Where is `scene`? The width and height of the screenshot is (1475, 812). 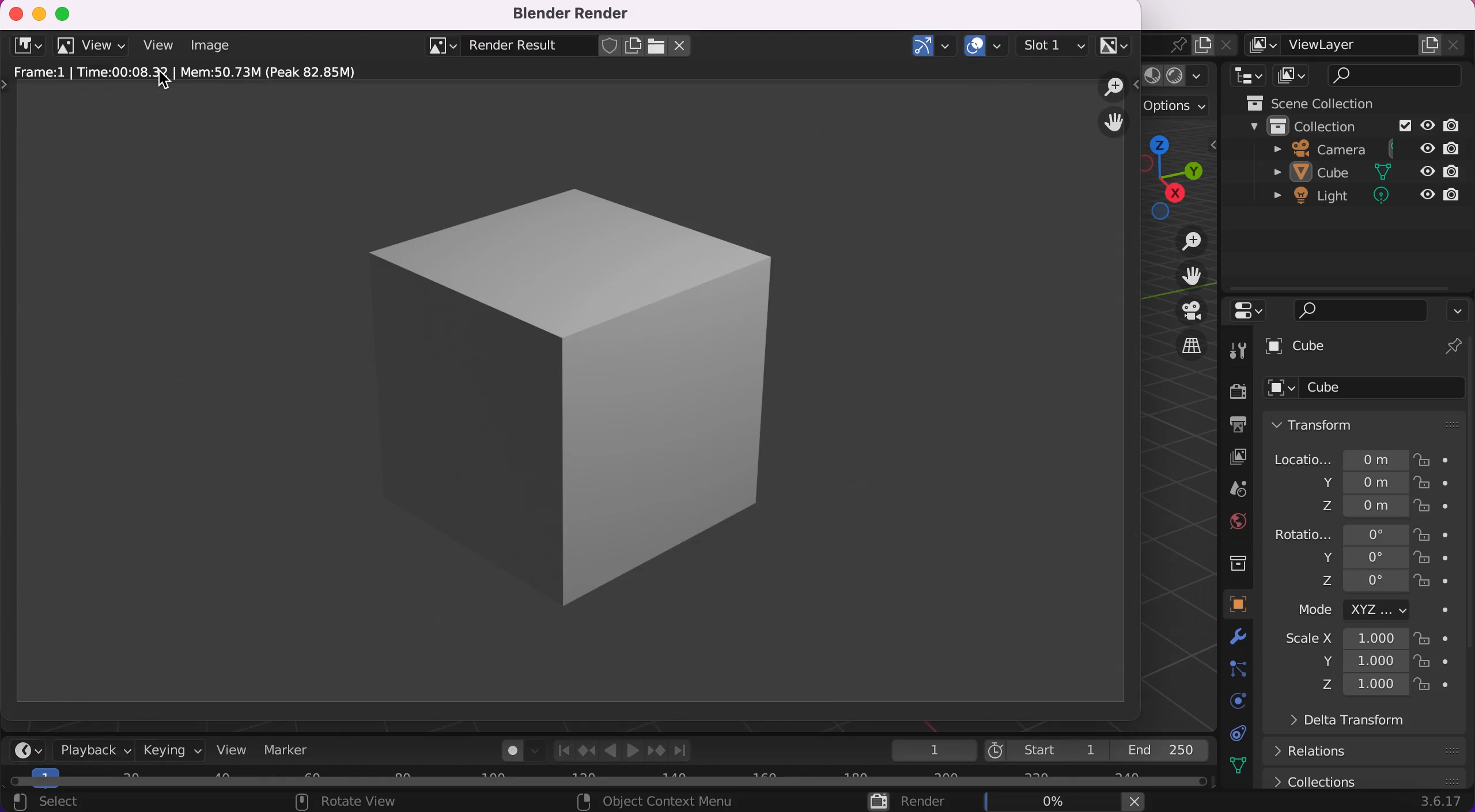
scene is located at coordinates (1128, 47).